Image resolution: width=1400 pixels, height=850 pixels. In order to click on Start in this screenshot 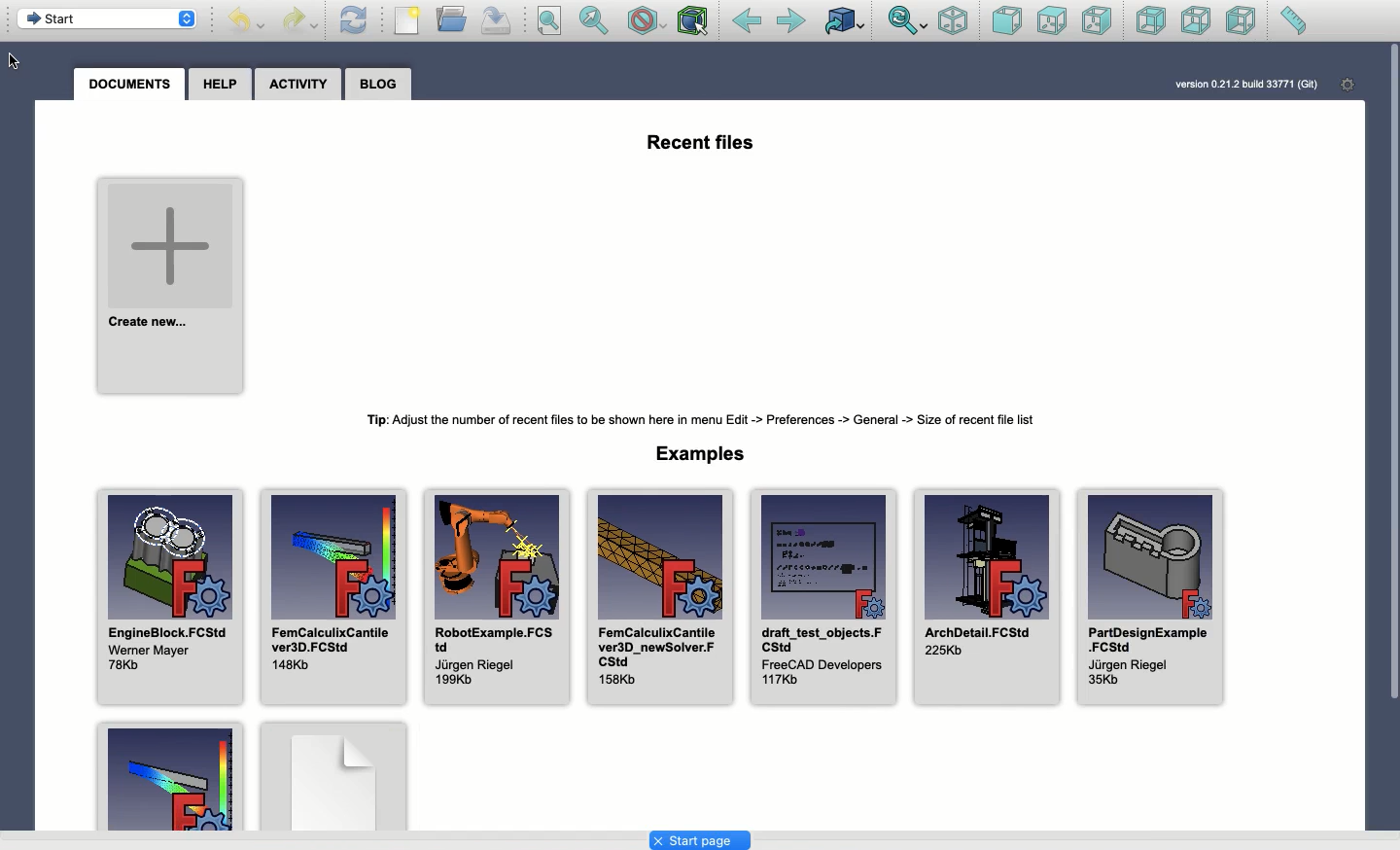, I will do `click(106, 18)`.